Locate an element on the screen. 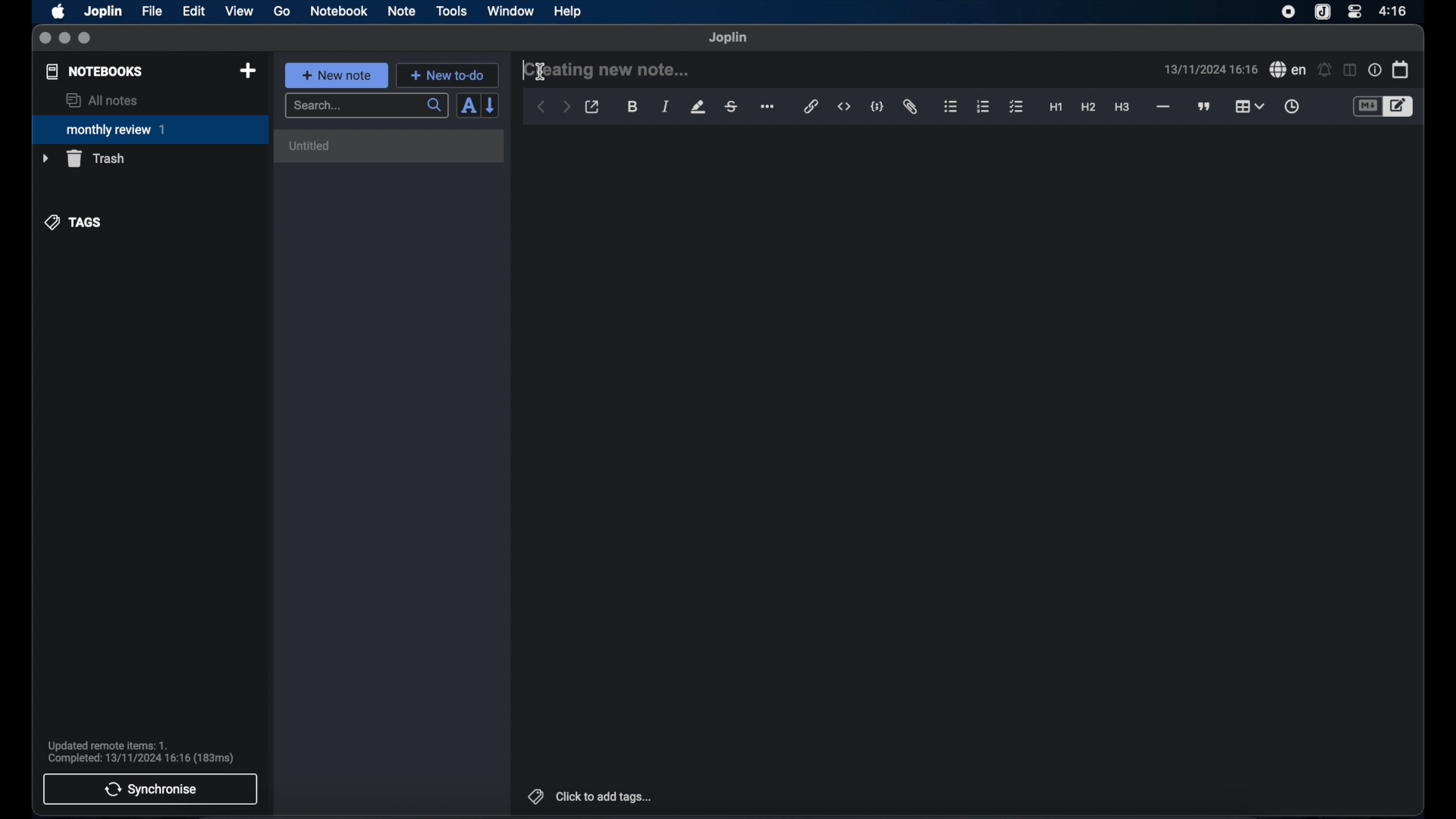 The image size is (1456, 819). heading 3 is located at coordinates (1122, 108).